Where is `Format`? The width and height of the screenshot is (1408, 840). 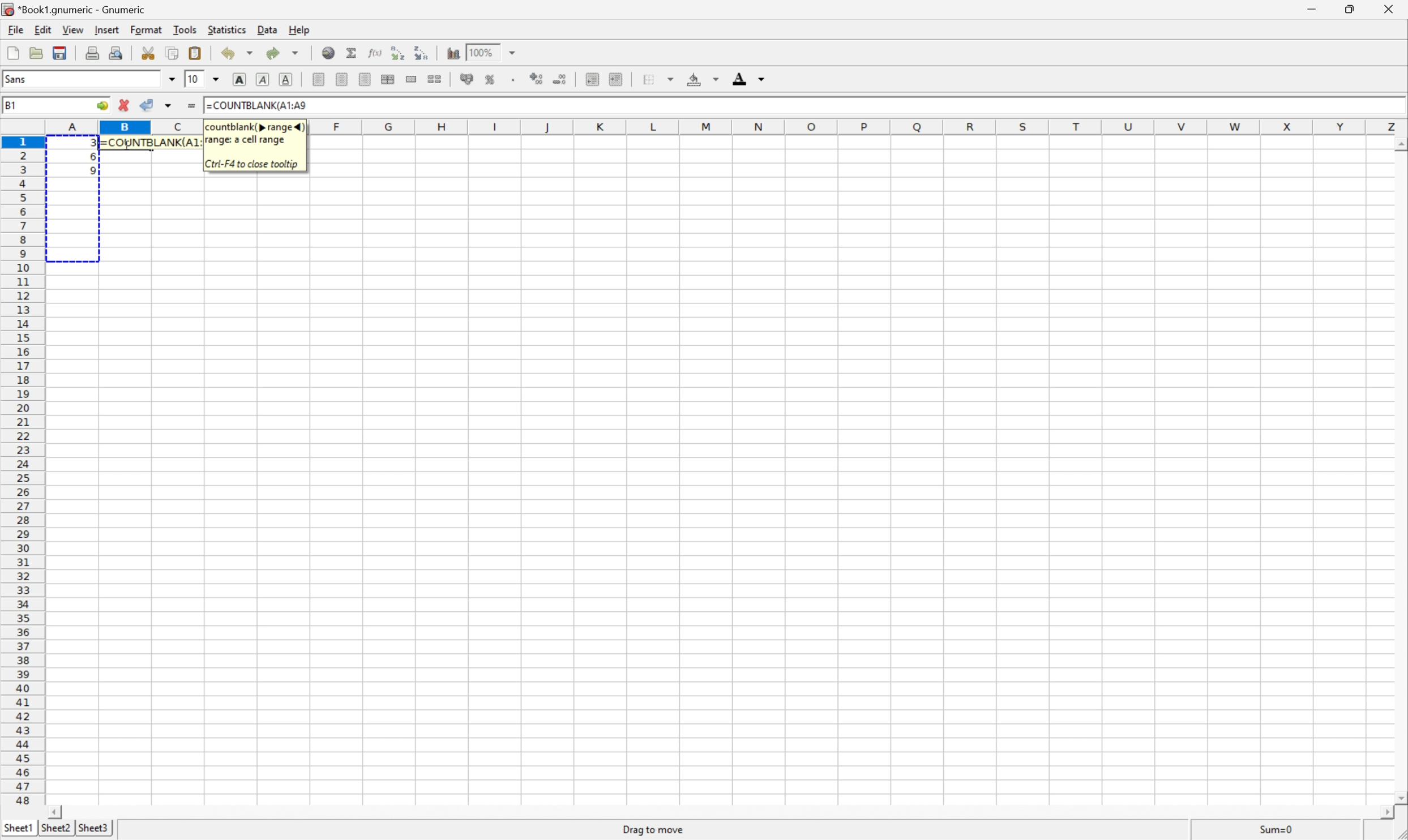 Format is located at coordinates (146, 29).